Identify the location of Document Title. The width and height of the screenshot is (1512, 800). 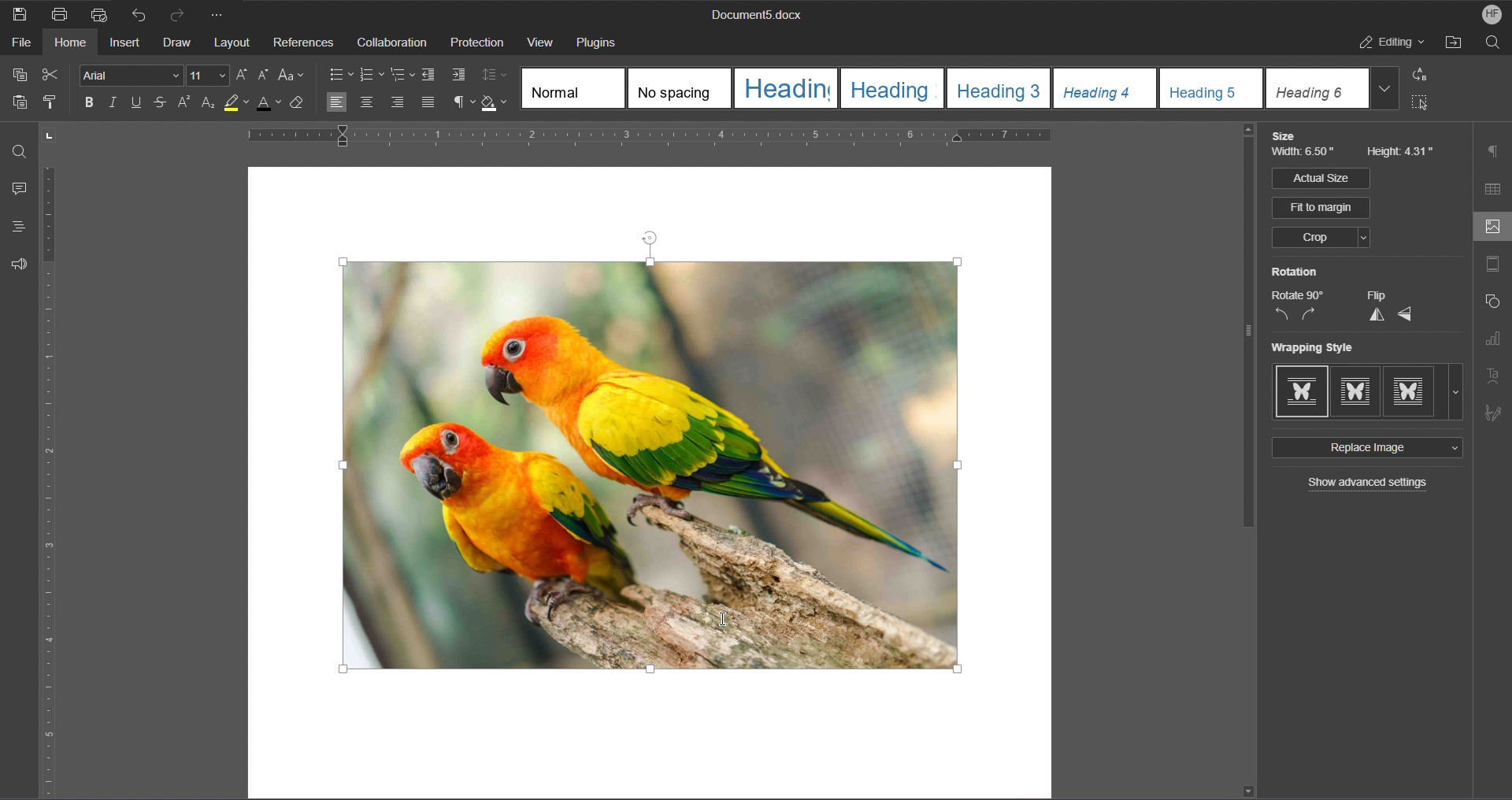
(754, 16).